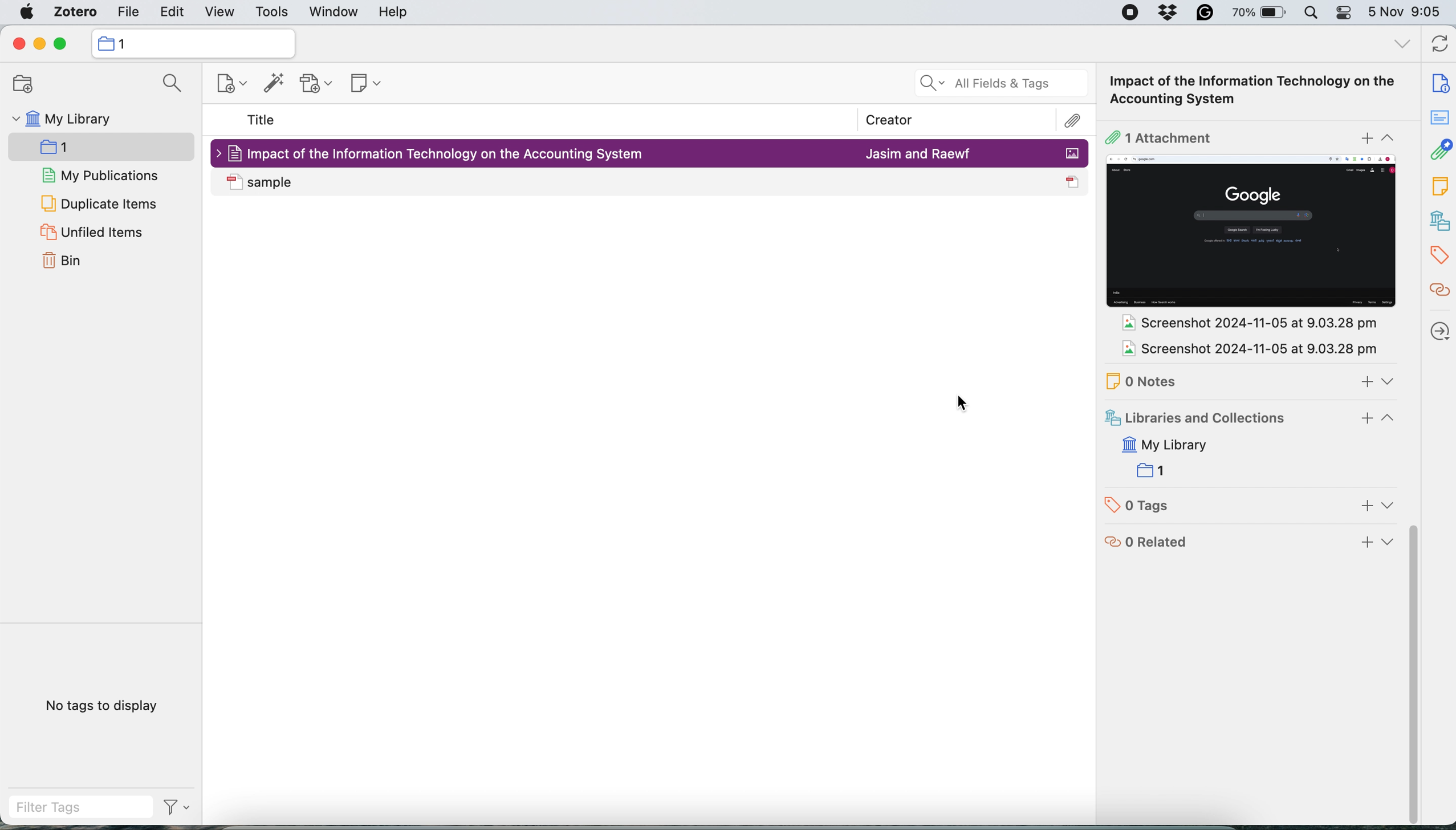  I want to click on refresh, so click(1437, 45).